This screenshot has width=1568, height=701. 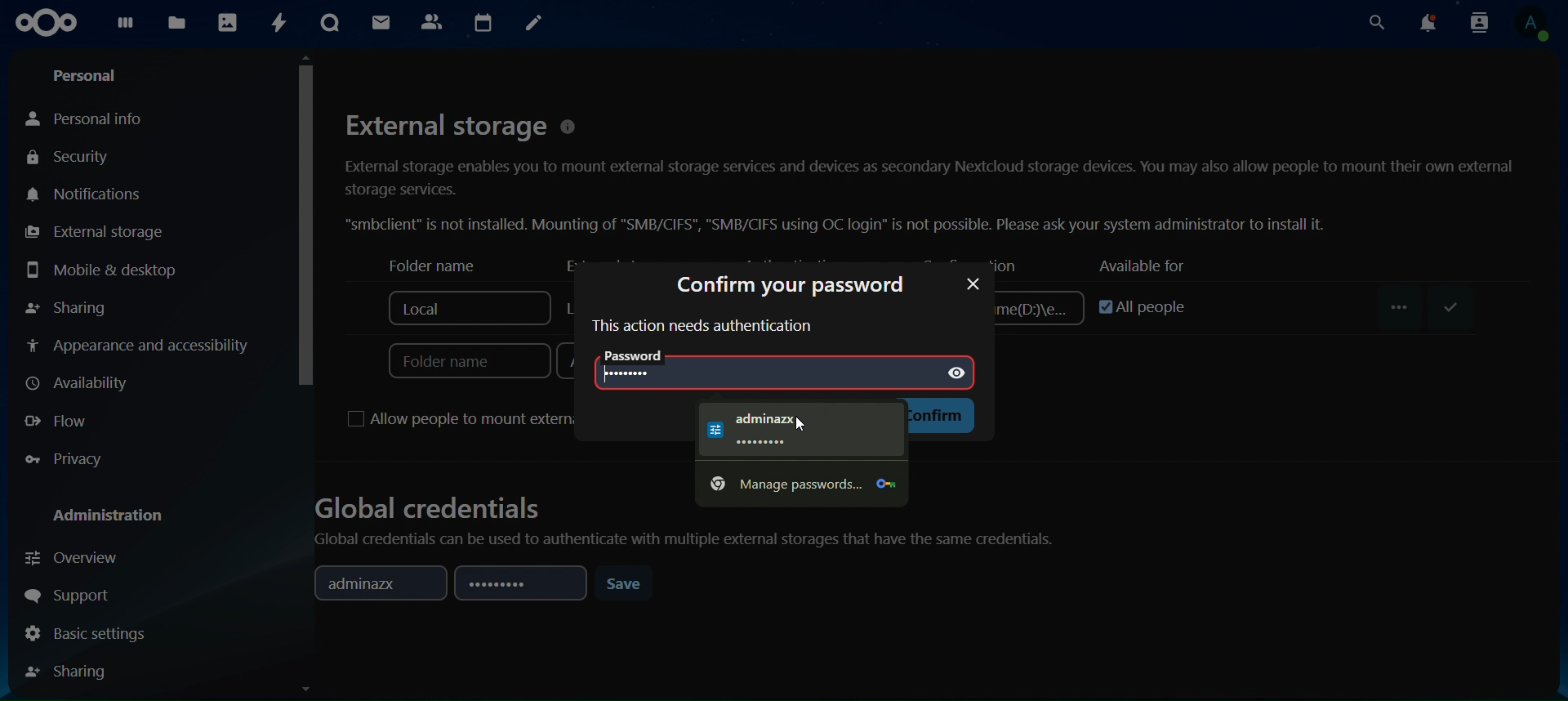 I want to click on files, so click(x=176, y=25).